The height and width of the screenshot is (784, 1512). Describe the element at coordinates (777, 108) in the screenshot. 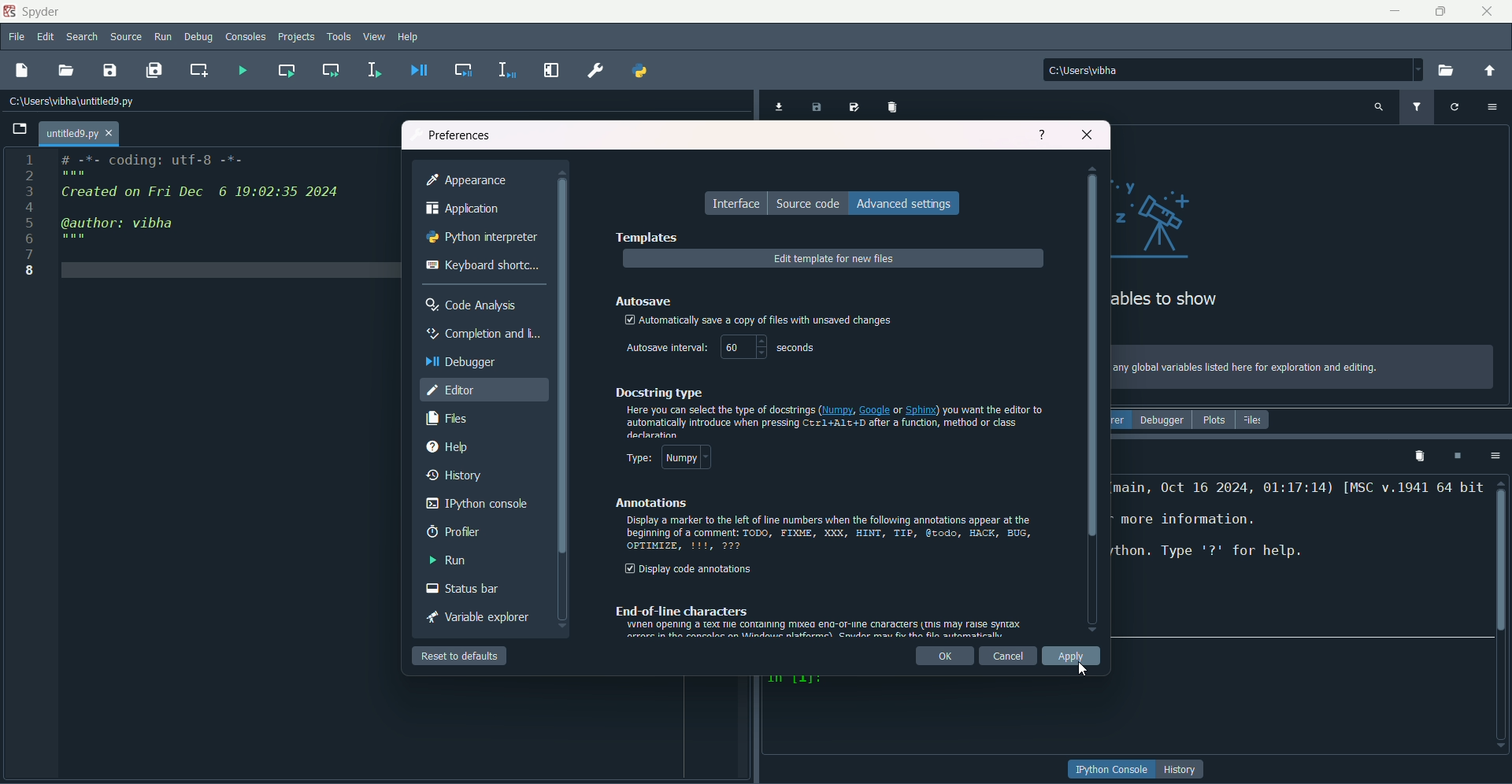

I see `import data` at that location.